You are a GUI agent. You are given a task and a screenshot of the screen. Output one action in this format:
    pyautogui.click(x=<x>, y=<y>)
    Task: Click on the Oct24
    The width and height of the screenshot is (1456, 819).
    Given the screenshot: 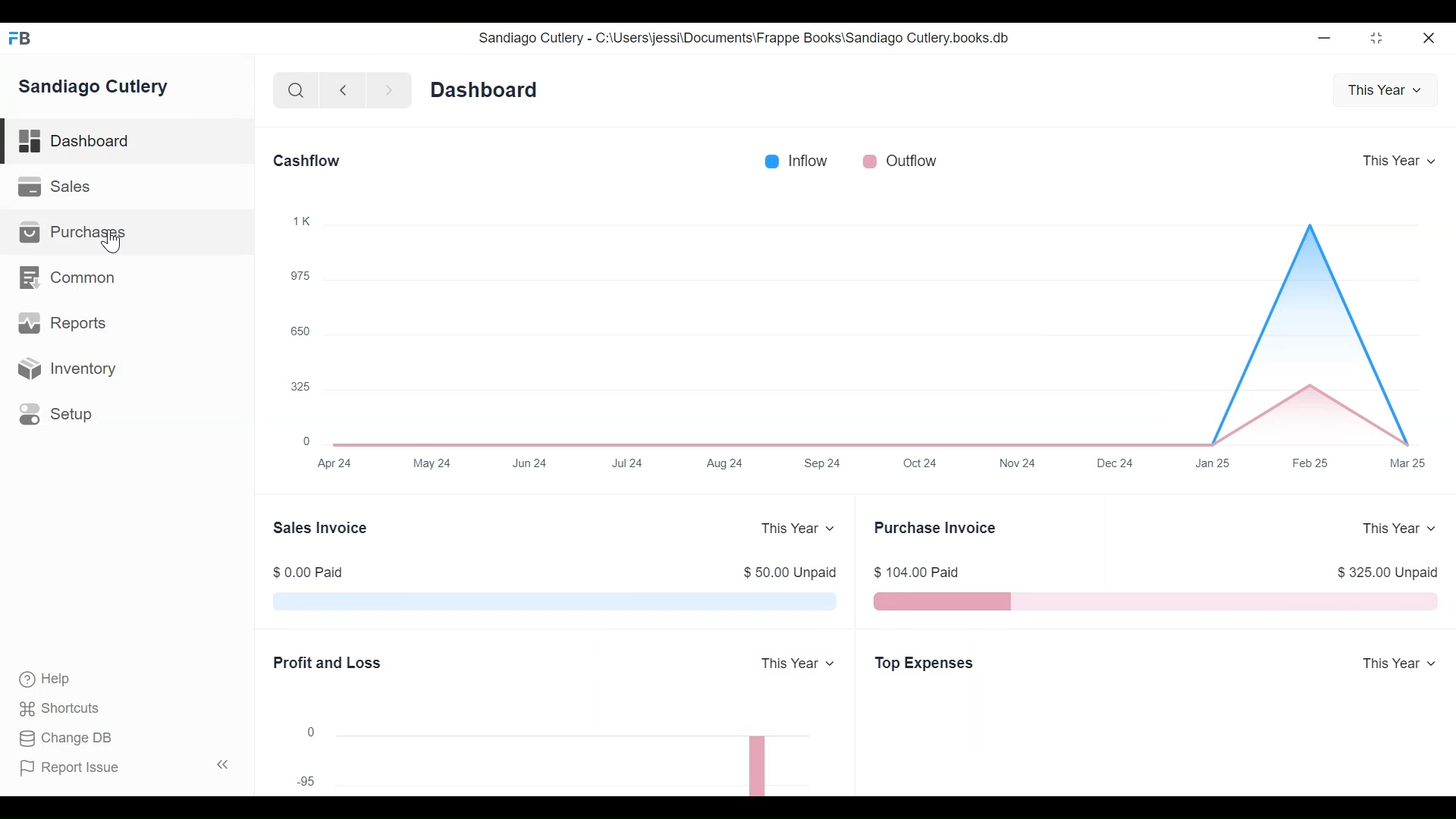 What is the action you would take?
    pyautogui.click(x=921, y=460)
    